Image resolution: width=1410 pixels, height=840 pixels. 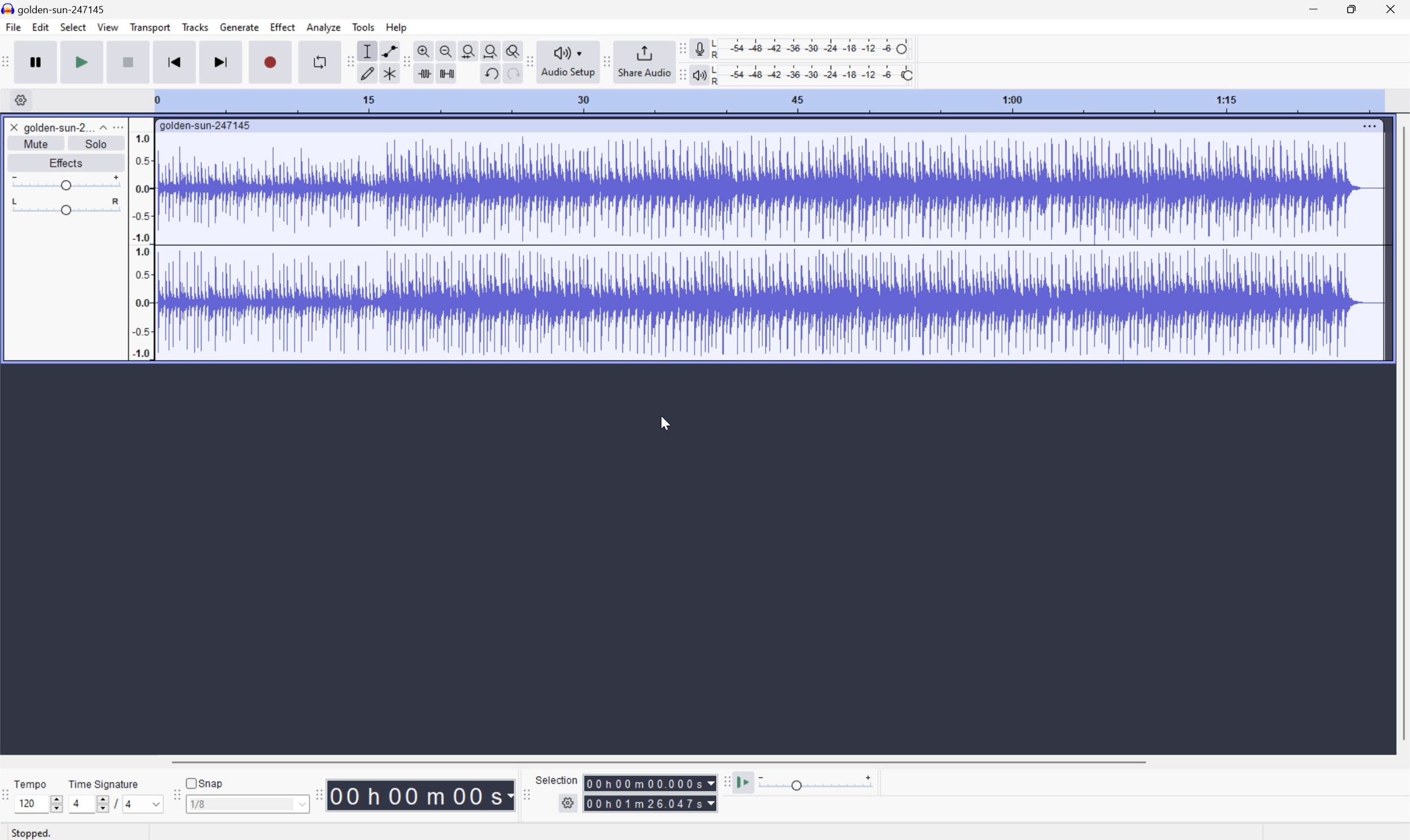 I want to click on Fit project to width, so click(x=491, y=51).